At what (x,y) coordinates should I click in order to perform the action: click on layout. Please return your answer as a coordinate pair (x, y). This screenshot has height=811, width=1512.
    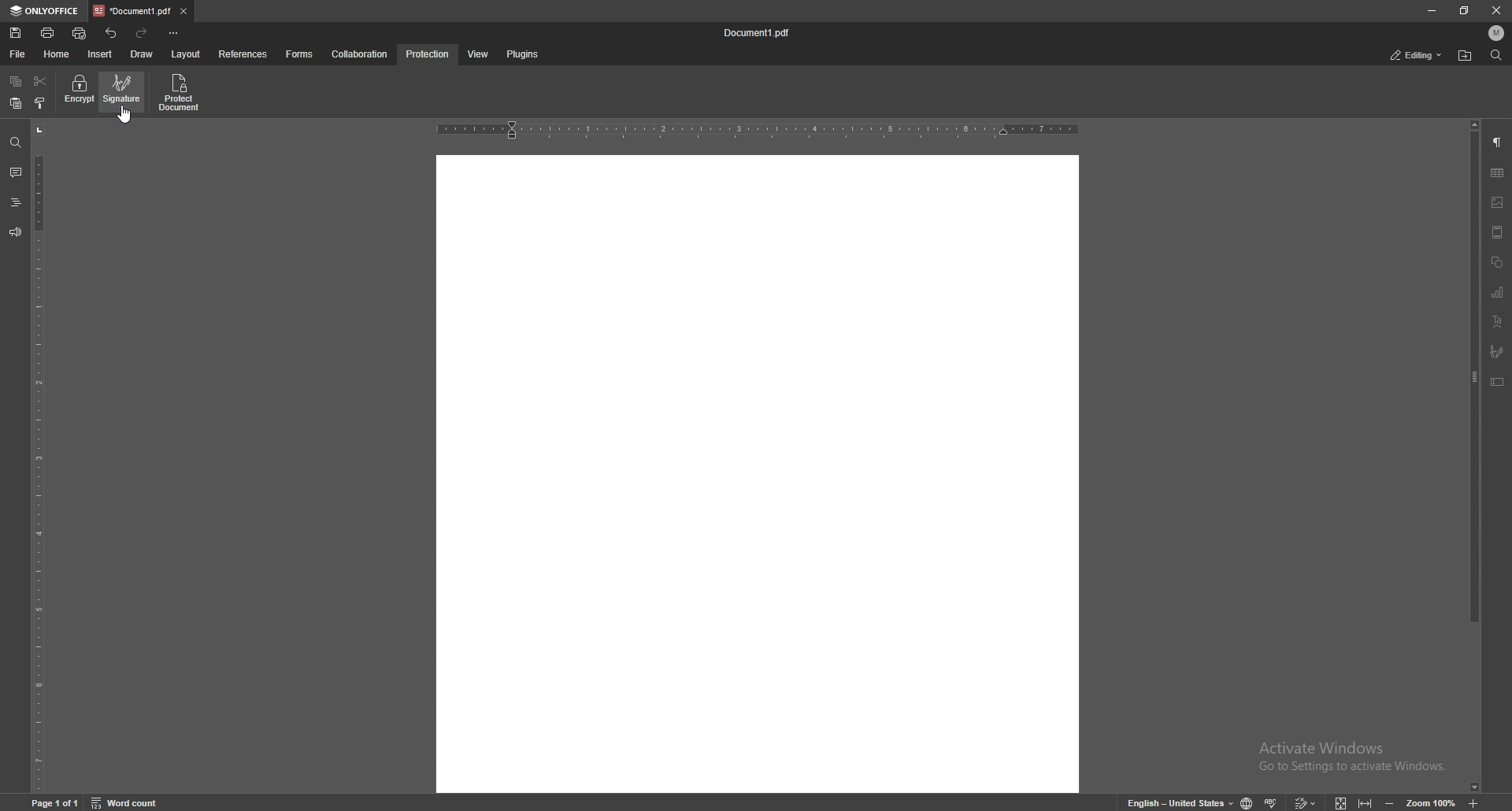
    Looking at the image, I should click on (185, 55).